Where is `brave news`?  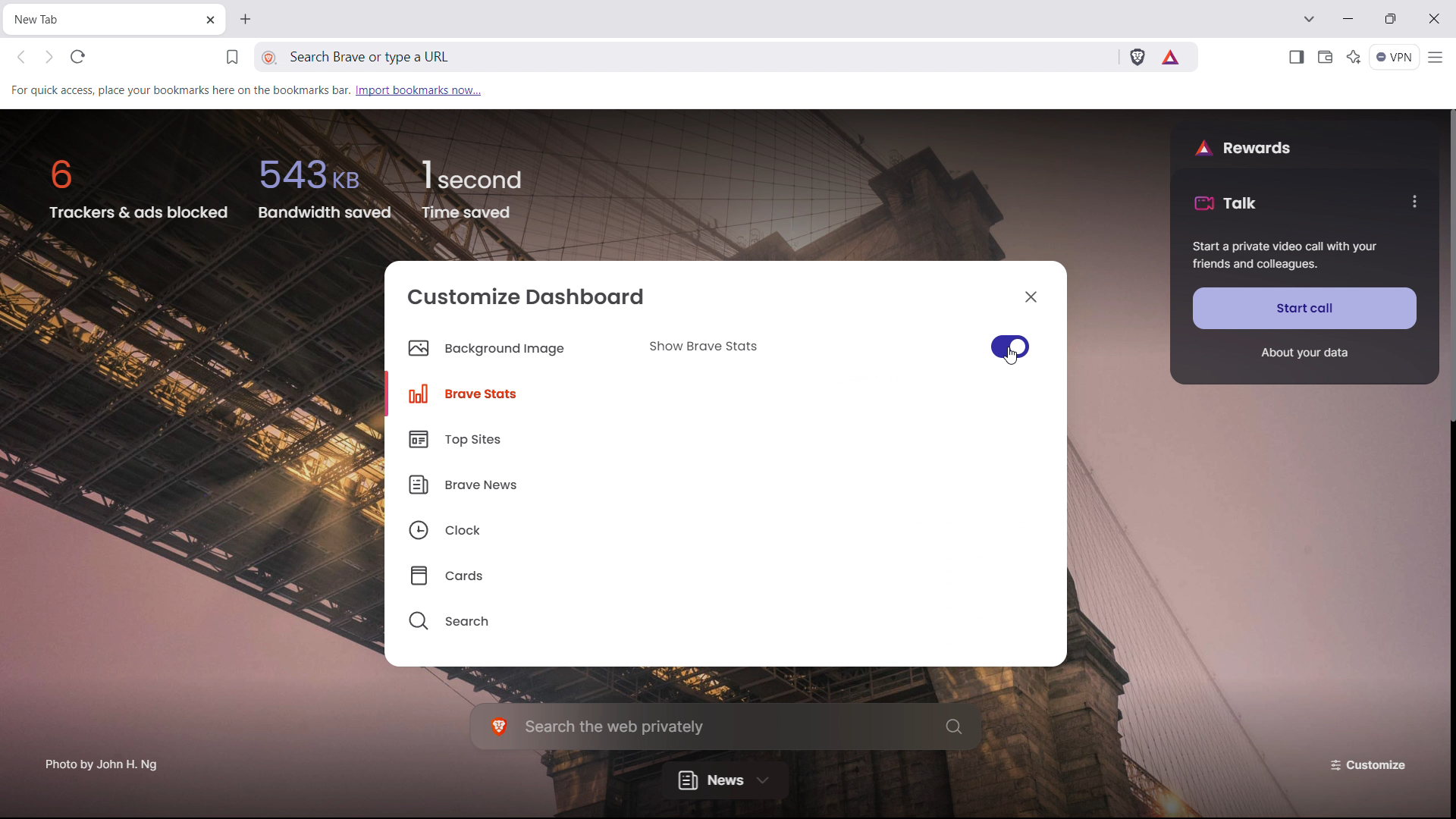 brave news is located at coordinates (507, 482).